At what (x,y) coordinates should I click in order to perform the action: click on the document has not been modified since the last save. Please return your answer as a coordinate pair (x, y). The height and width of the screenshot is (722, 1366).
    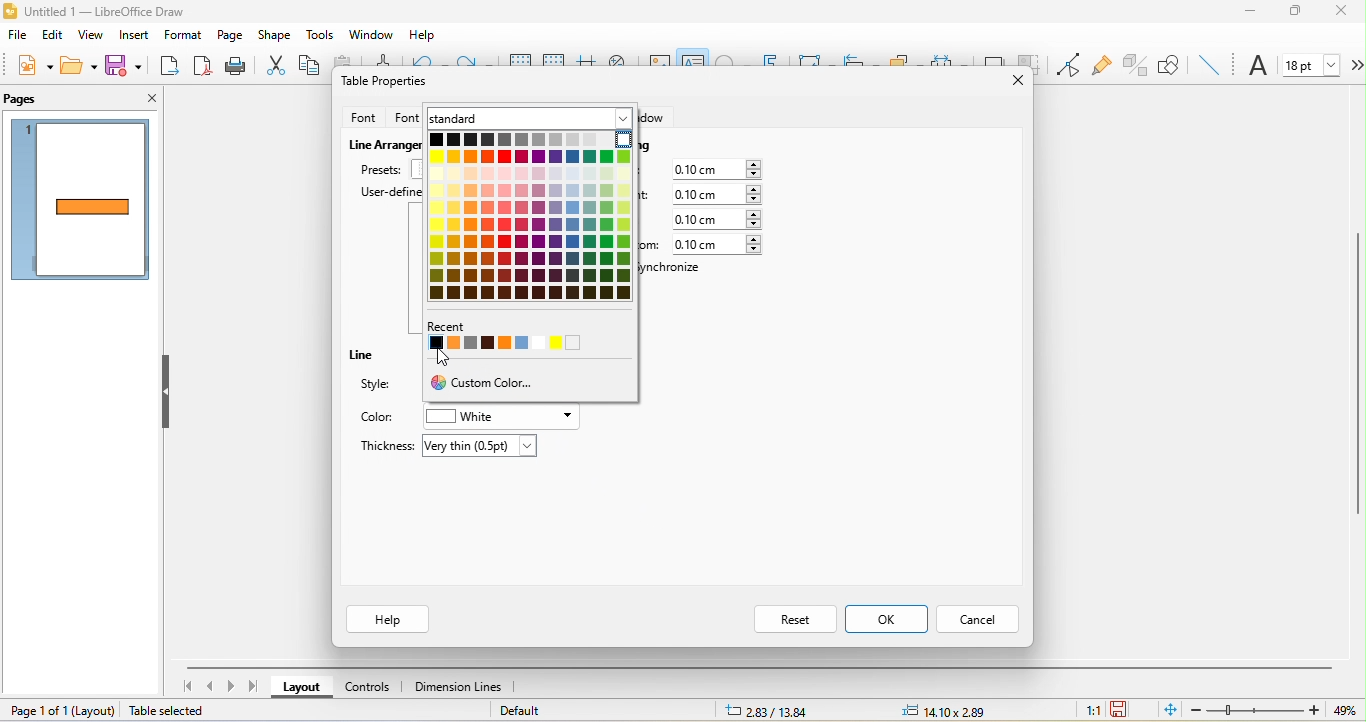
    Looking at the image, I should click on (1130, 709).